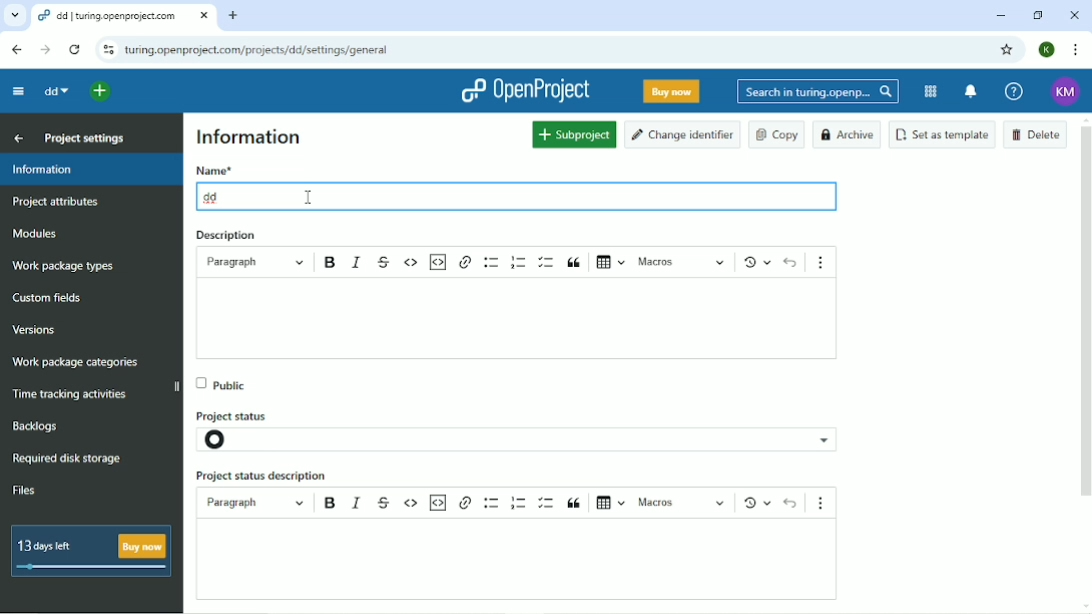 This screenshot has height=614, width=1092. Describe the element at coordinates (331, 264) in the screenshot. I see `Bold` at that location.